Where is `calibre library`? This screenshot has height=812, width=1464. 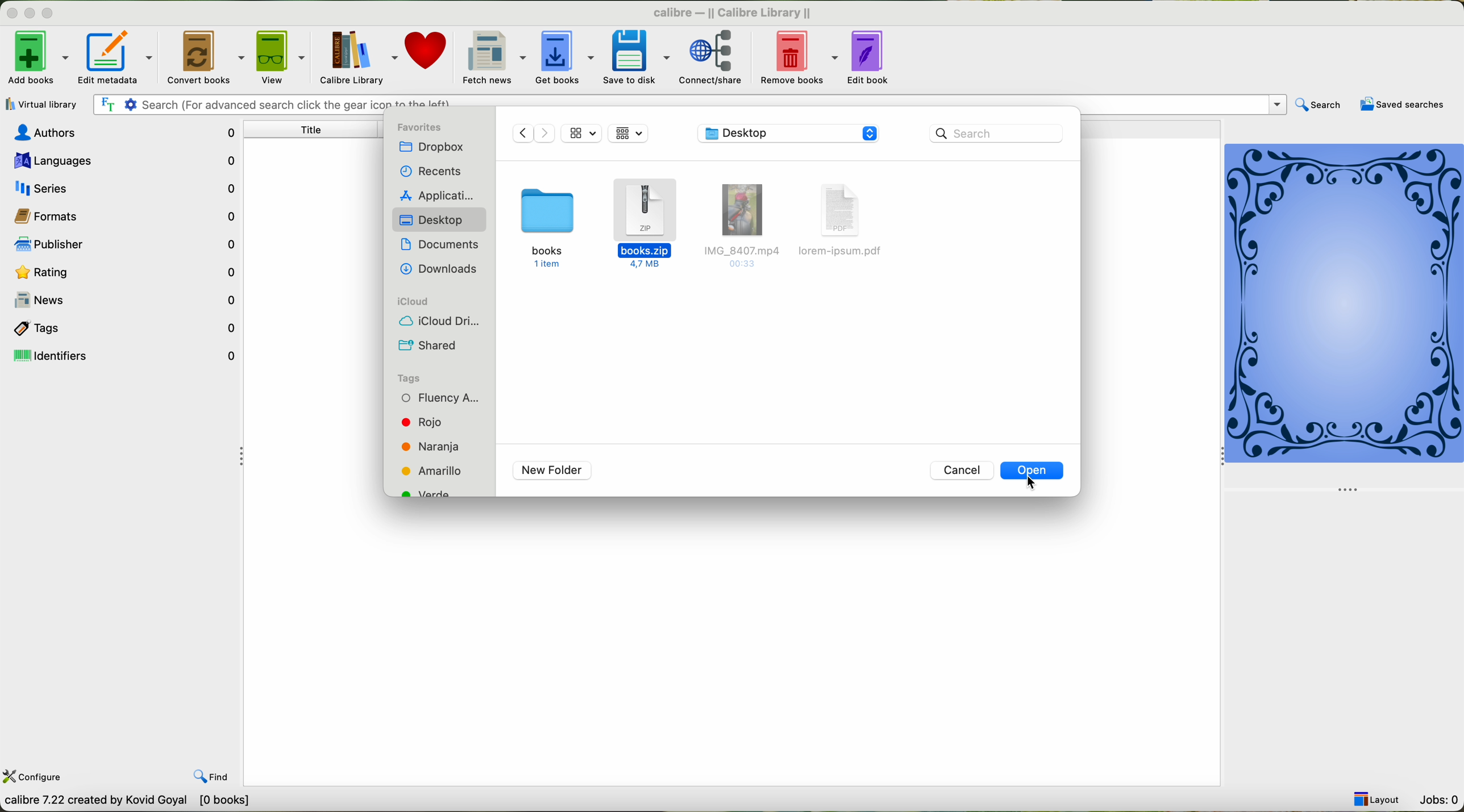
calibre library is located at coordinates (357, 58).